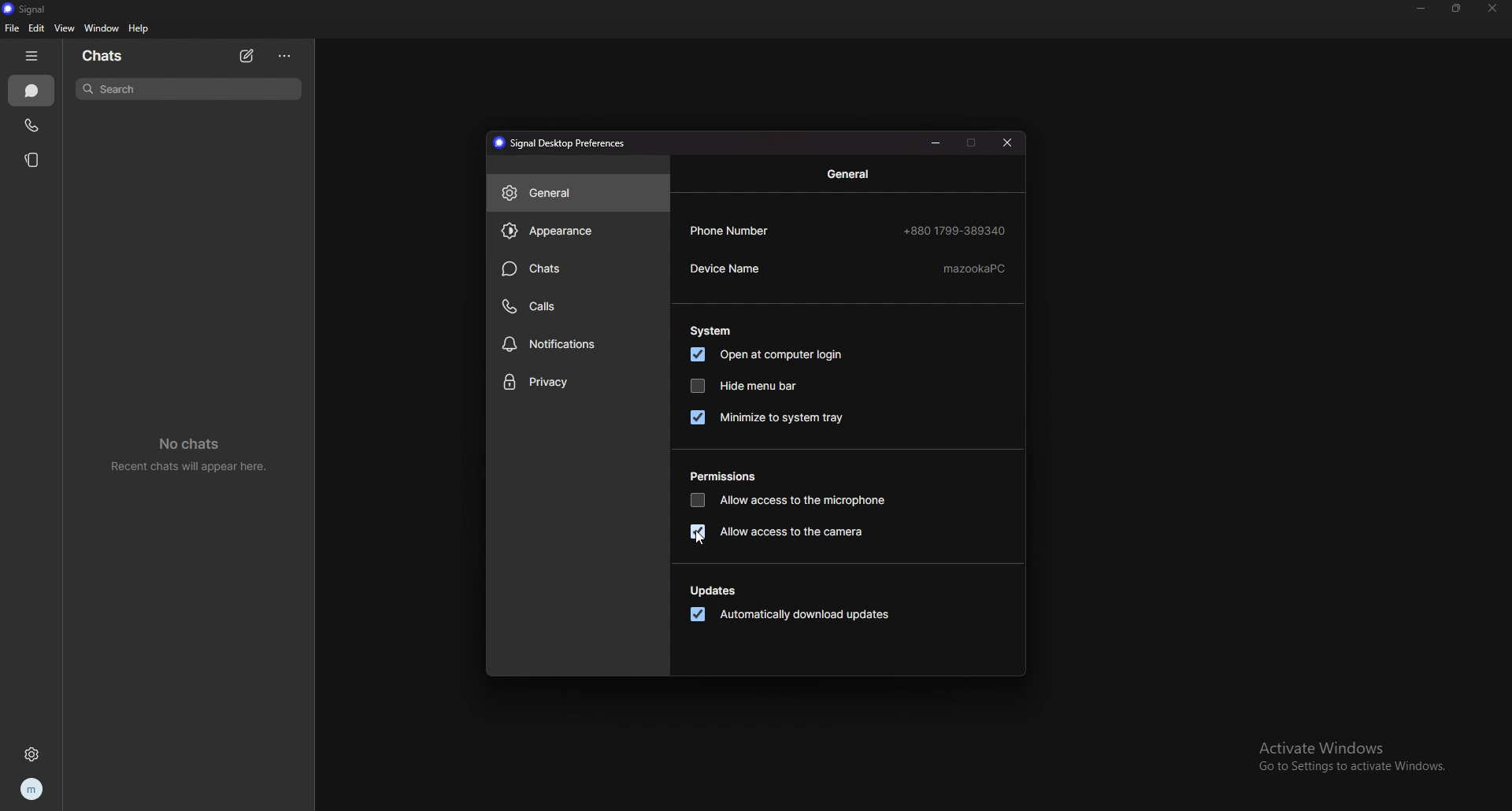  I want to click on help, so click(140, 29).